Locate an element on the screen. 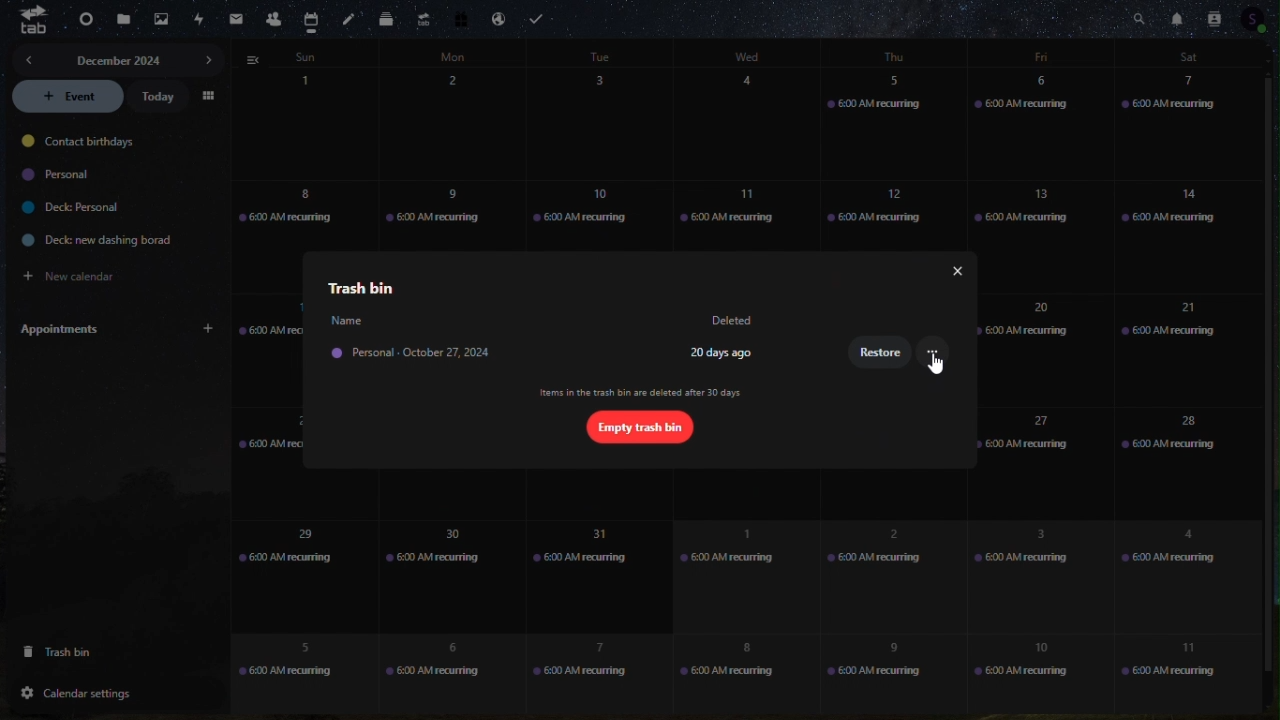 The height and width of the screenshot is (720, 1280). 2 is located at coordinates (455, 125).